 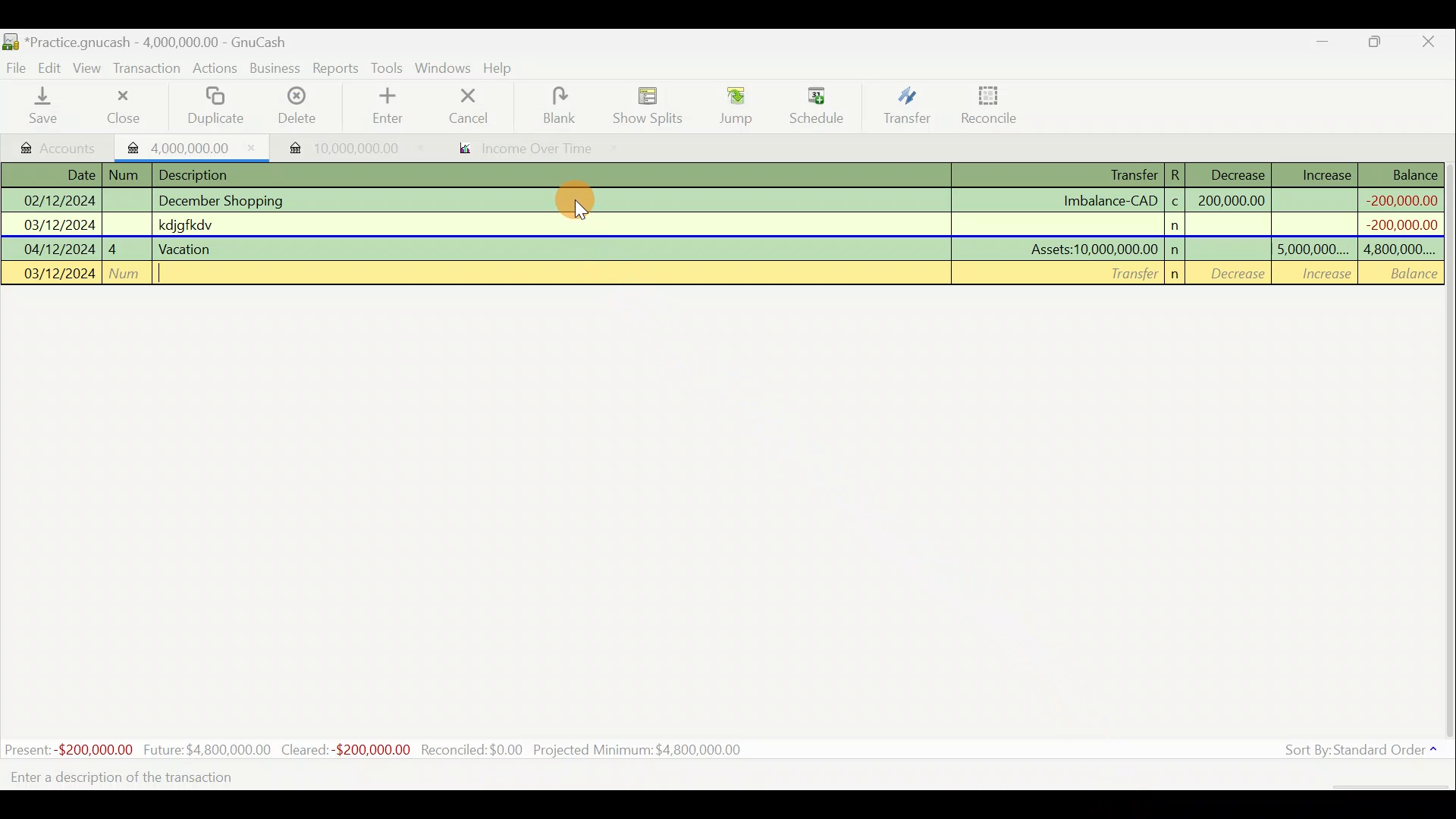 I want to click on Close, so click(x=1429, y=44).